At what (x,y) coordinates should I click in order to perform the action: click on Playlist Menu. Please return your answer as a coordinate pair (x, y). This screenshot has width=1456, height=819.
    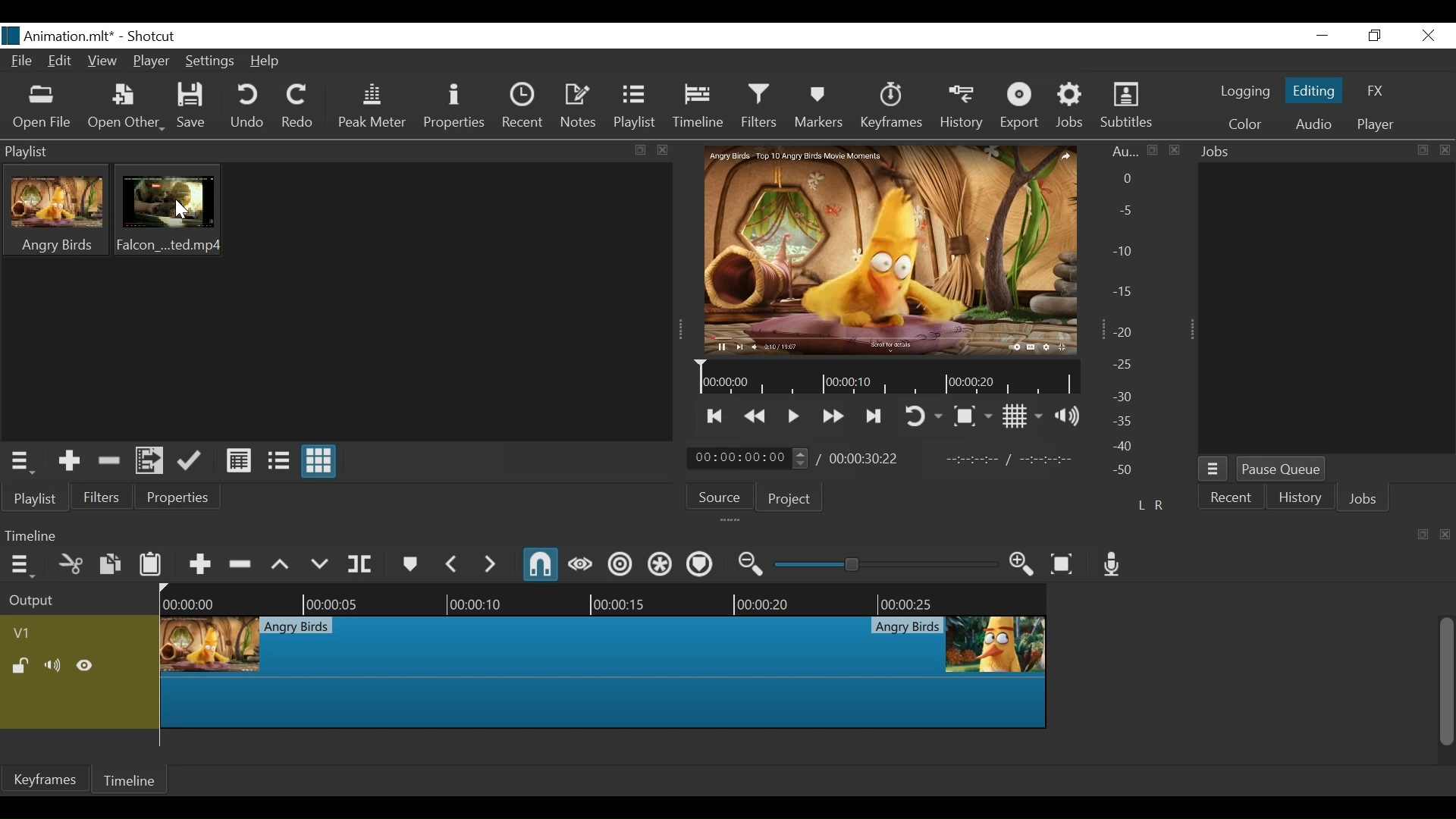
    Looking at the image, I should click on (20, 461).